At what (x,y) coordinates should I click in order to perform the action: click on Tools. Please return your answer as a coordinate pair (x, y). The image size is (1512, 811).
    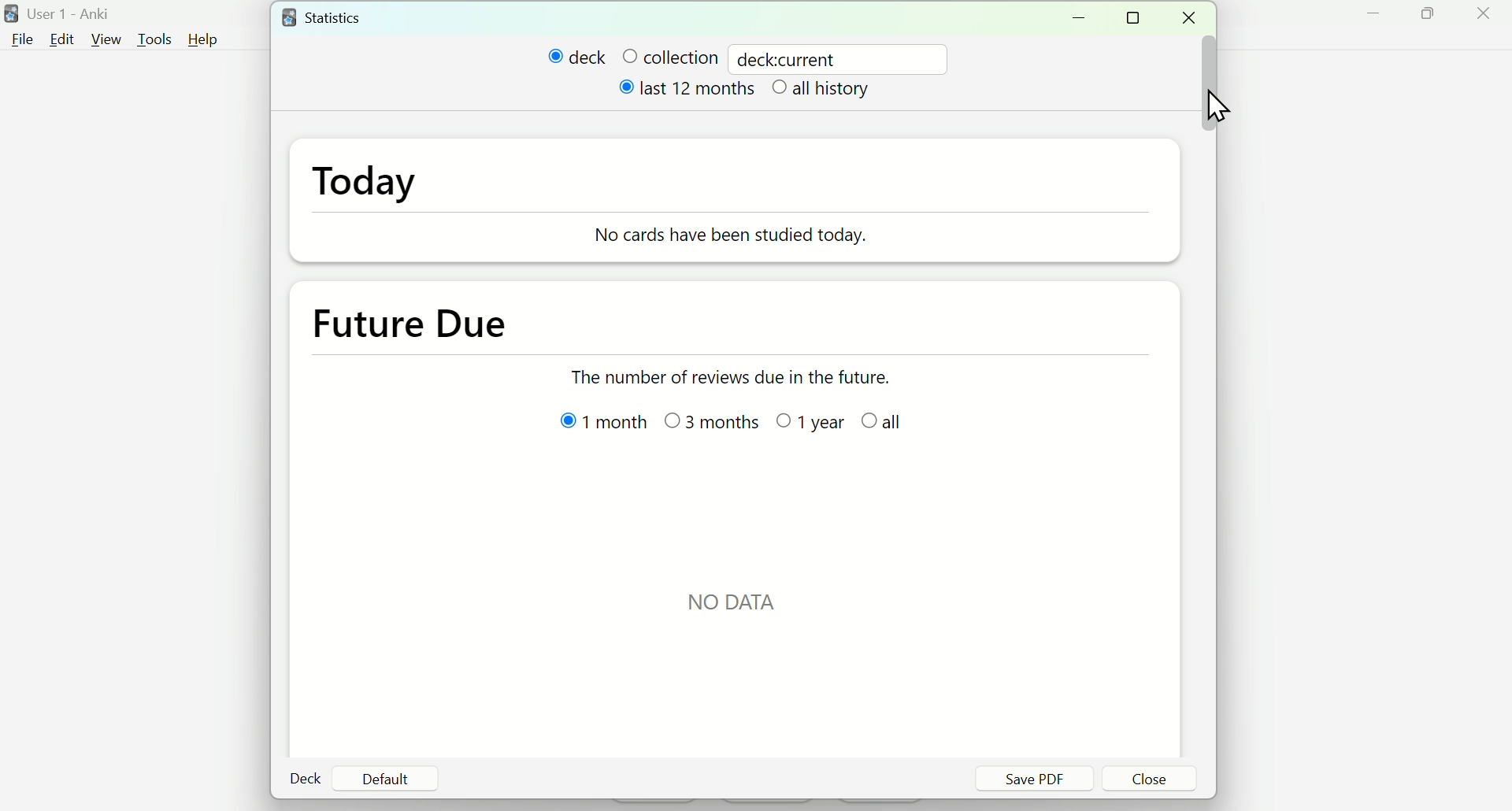
    Looking at the image, I should click on (151, 37).